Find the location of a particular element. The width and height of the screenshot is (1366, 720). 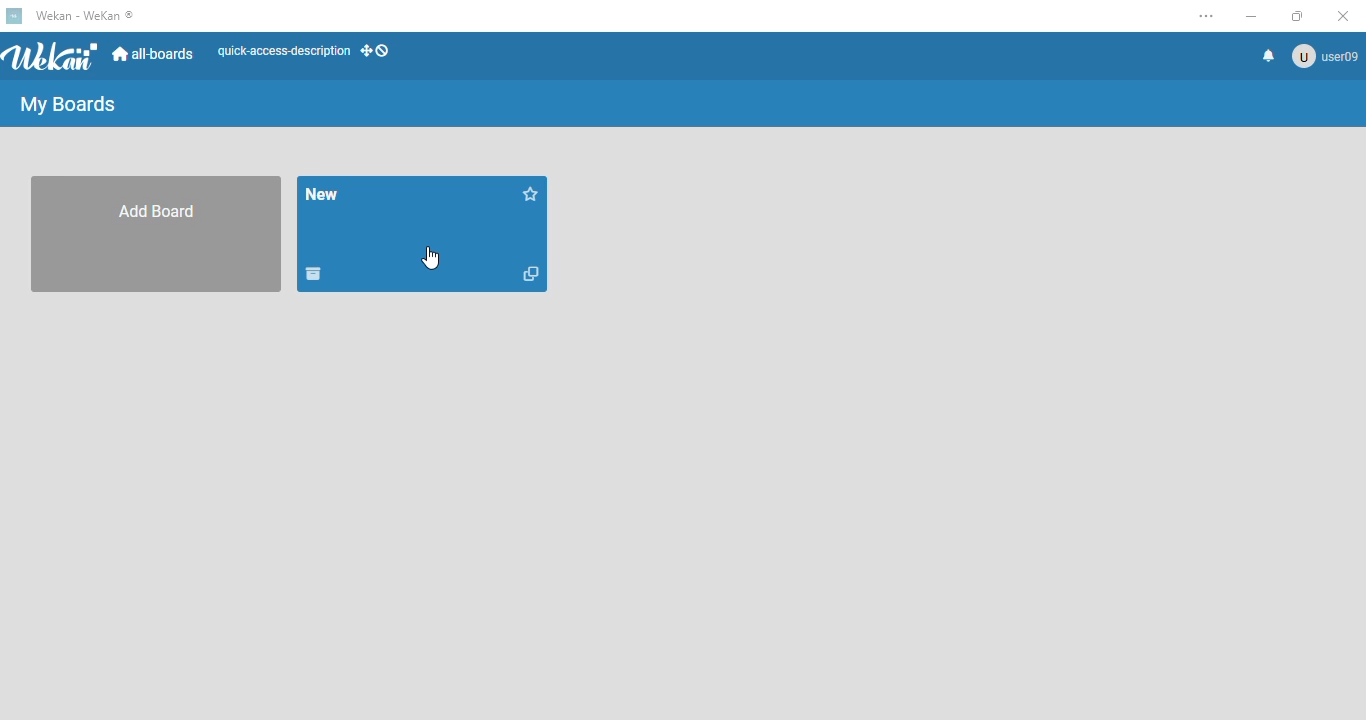

move to archive is located at coordinates (312, 274).